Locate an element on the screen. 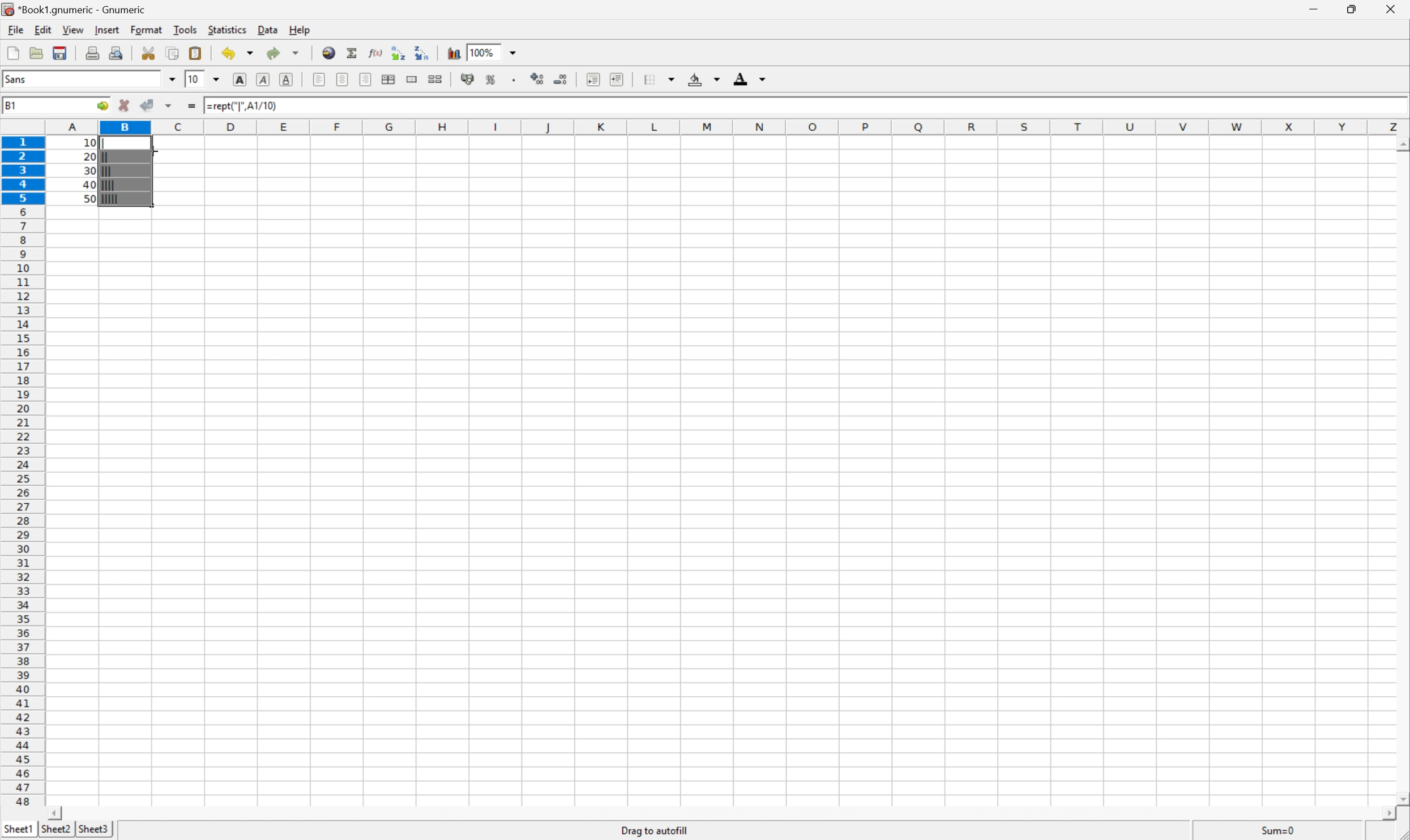 The width and height of the screenshot is (1410, 840). File is located at coordinates (15, 30).